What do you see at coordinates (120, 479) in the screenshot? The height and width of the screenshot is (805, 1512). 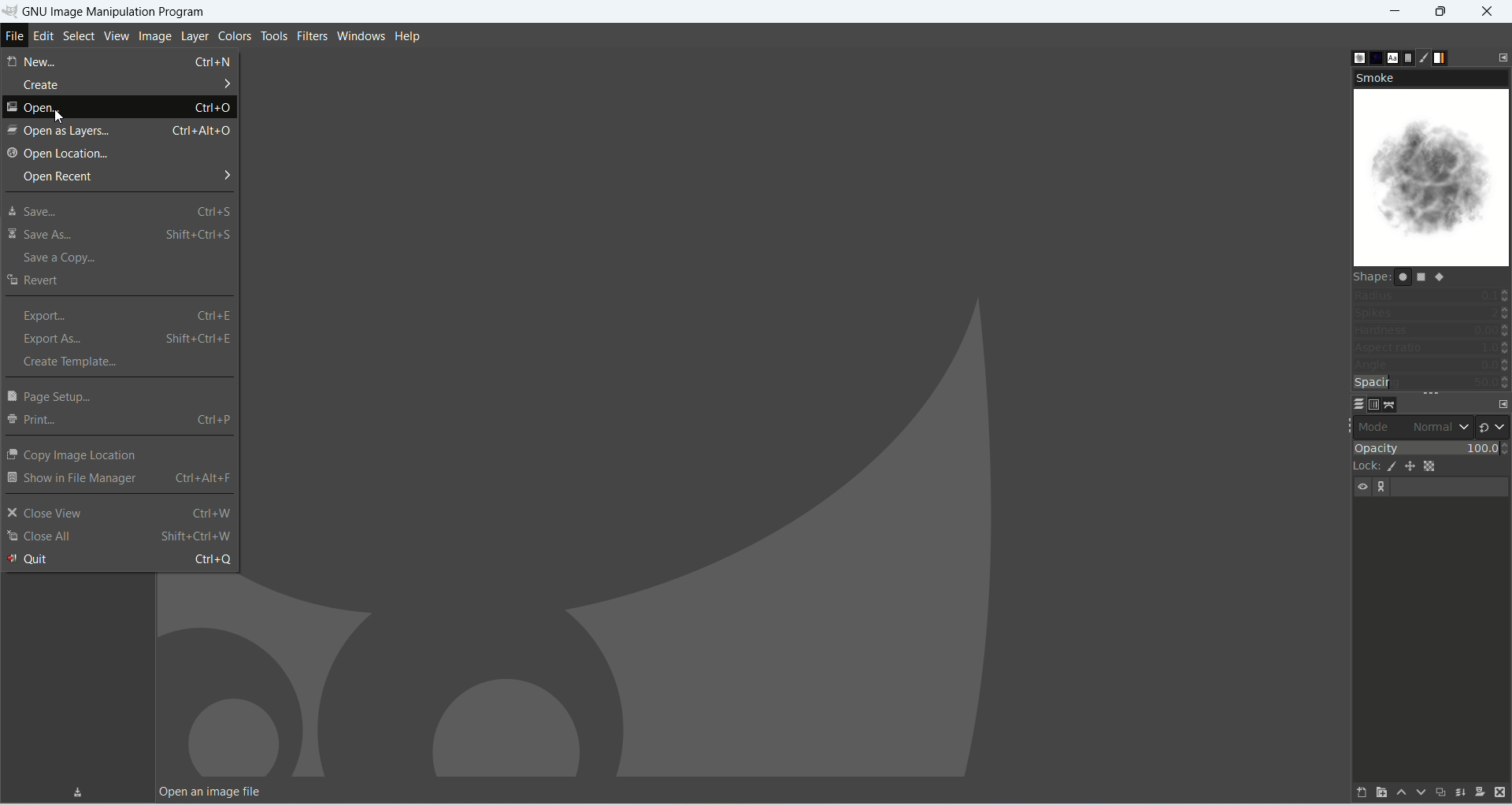 I see `show in file manager` at bounding box center [120, 479].